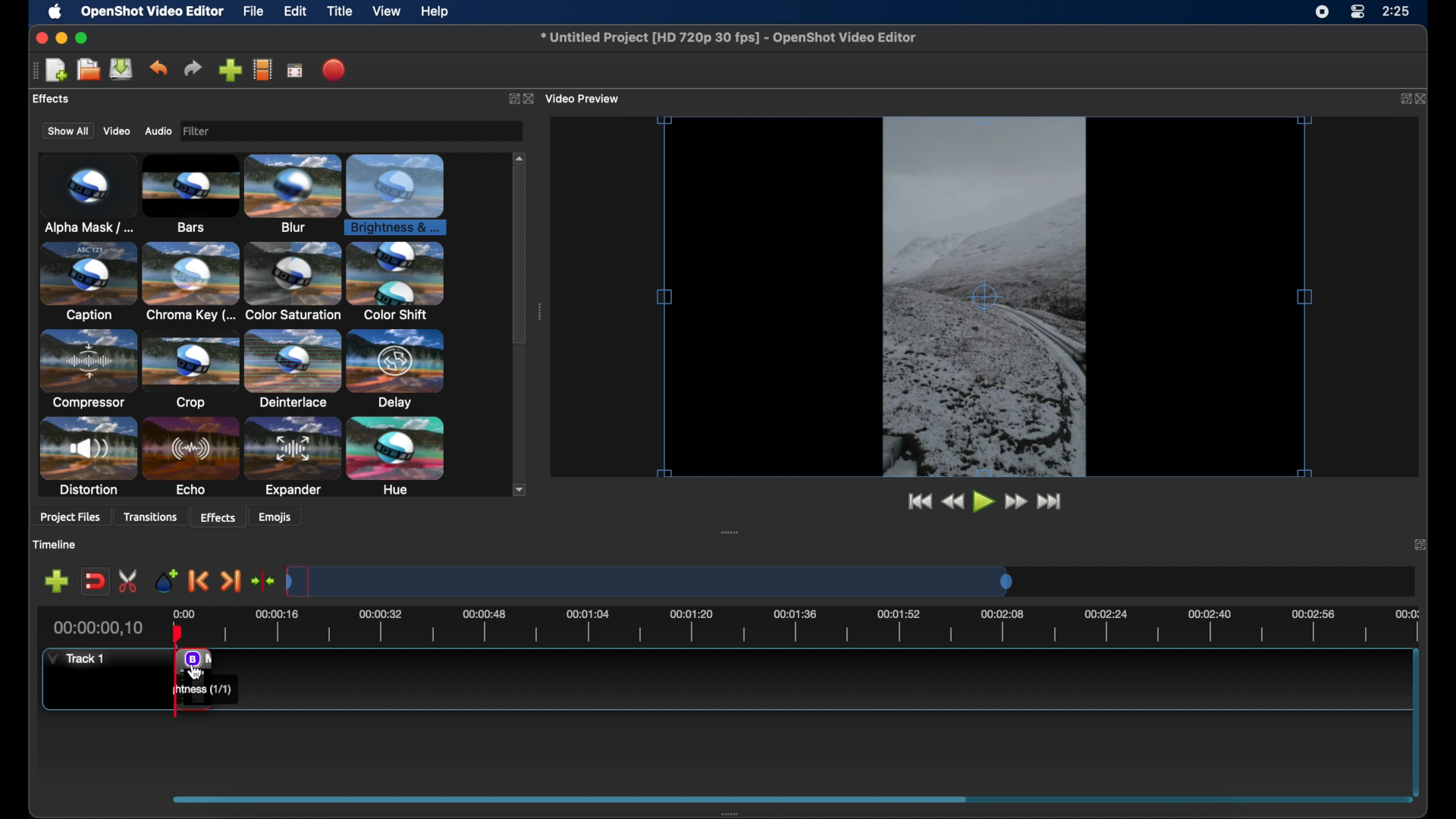 Image resolution: width=1456 pixels, height=819 pixels. What do you see at coordinates (218, 516) in the screenshot?
I see `effects` at bounding box center [218, 516].